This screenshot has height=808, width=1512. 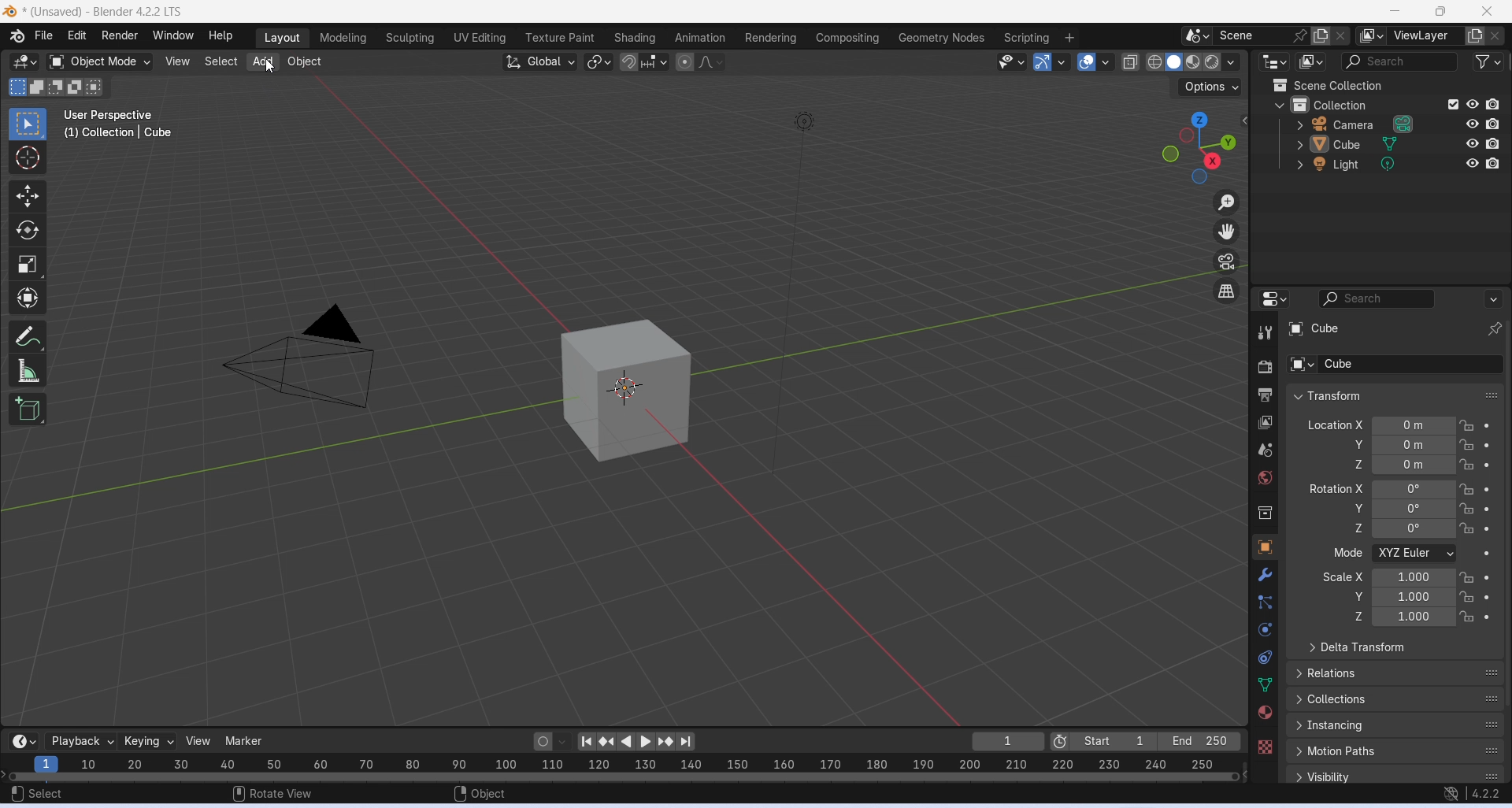 What do you see at coordinates (100, 62) in the screenshot?
I see `object mode` at bounding box center [100, 62].